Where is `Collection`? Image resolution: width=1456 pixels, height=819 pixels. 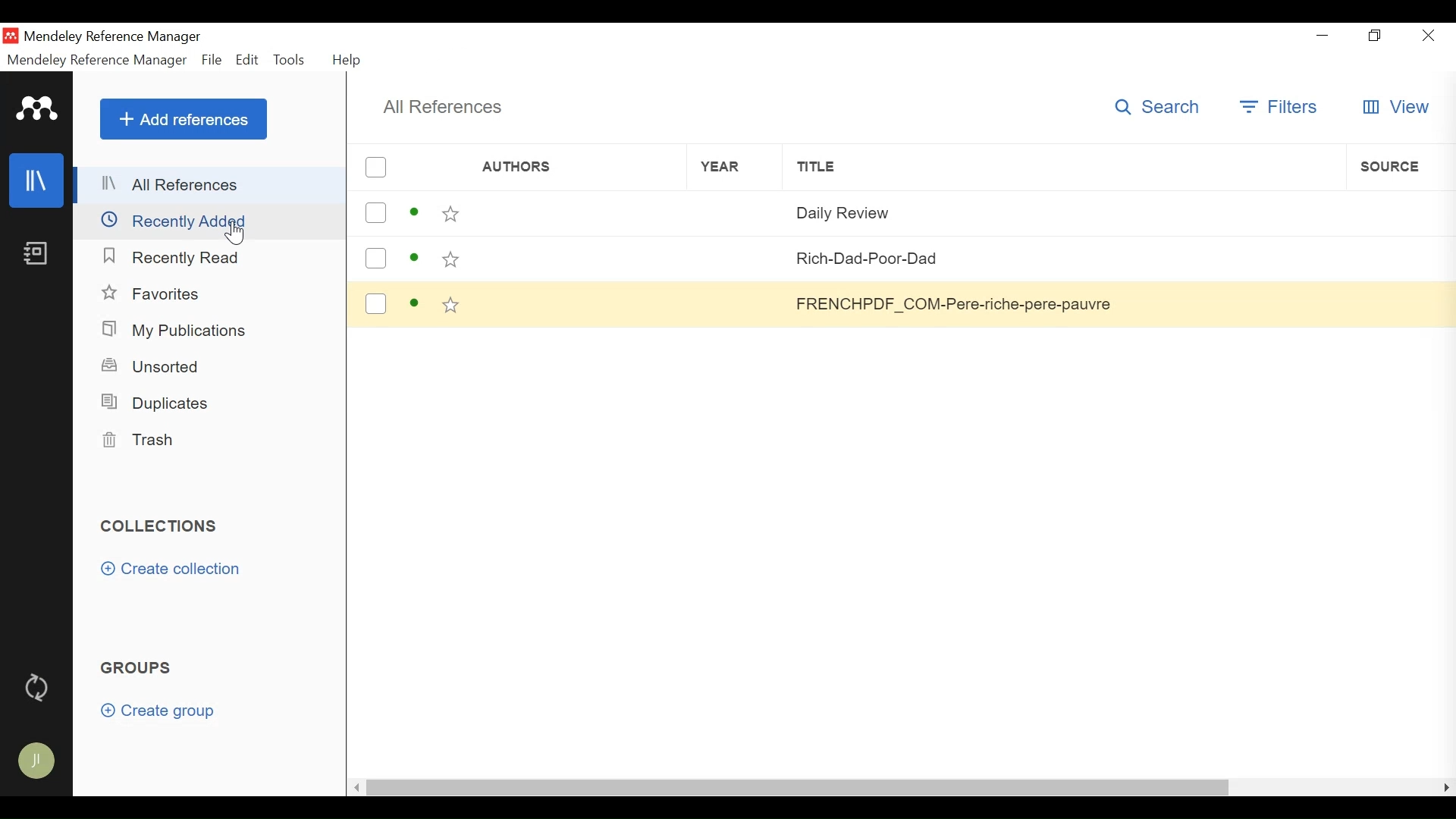
Collection is located at coordinates (161, 527).